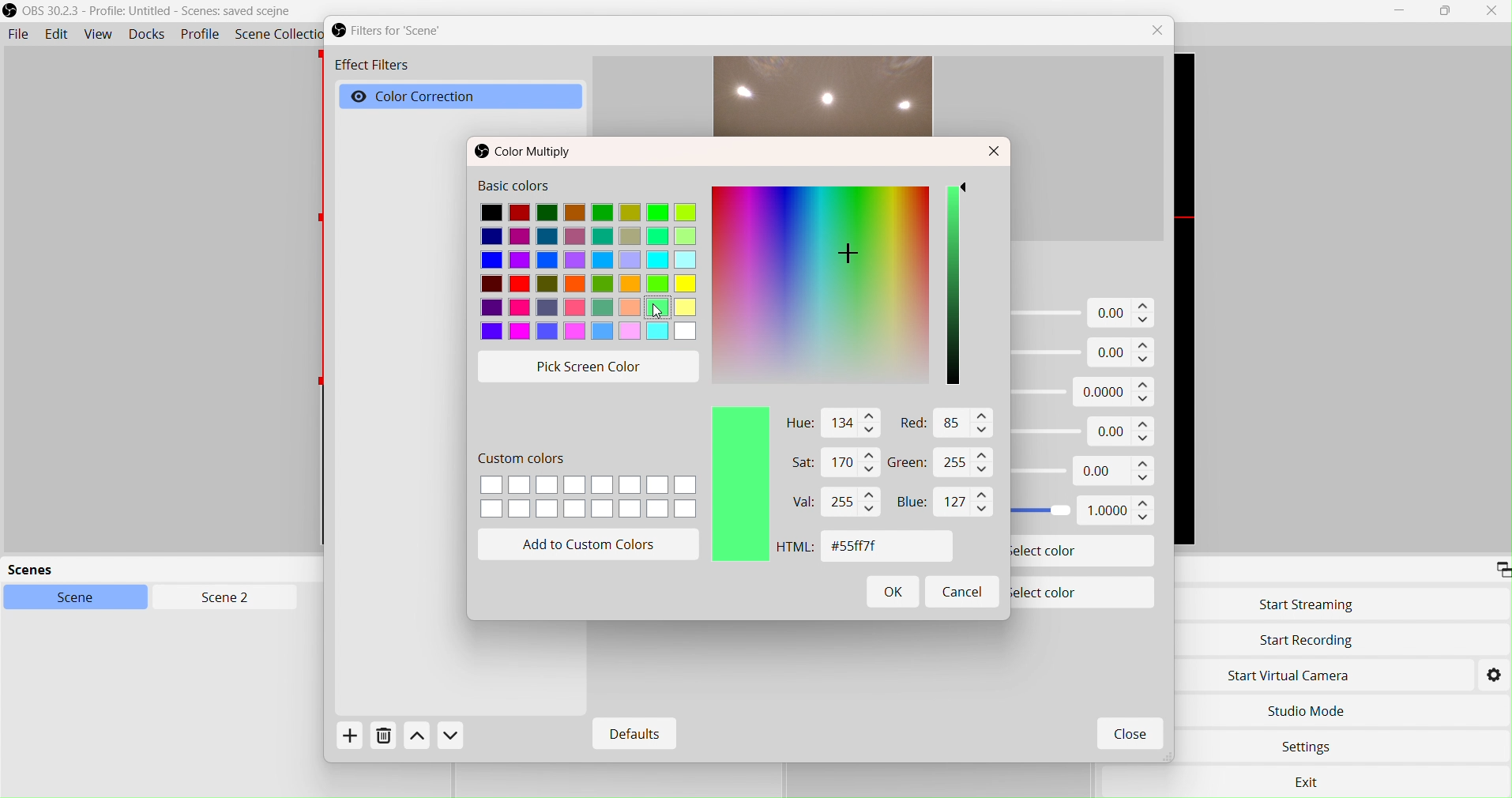 The width and height of the screenshot is (1512, 798). Describe the element at coordinates (201, 36) in the screenshot. I see `Profile` at that location.